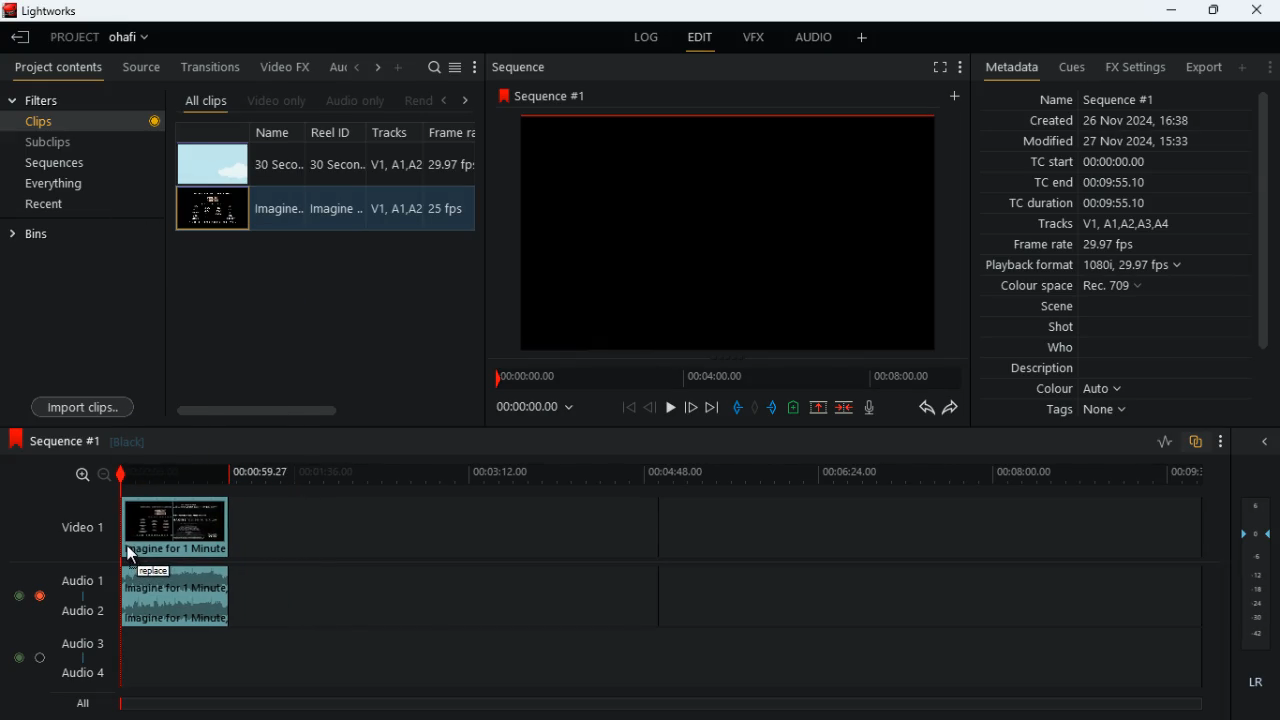  What do you see at coordinates (318, 408) in the screenshot?
I see `scroll` at bounding box center [318, 408].